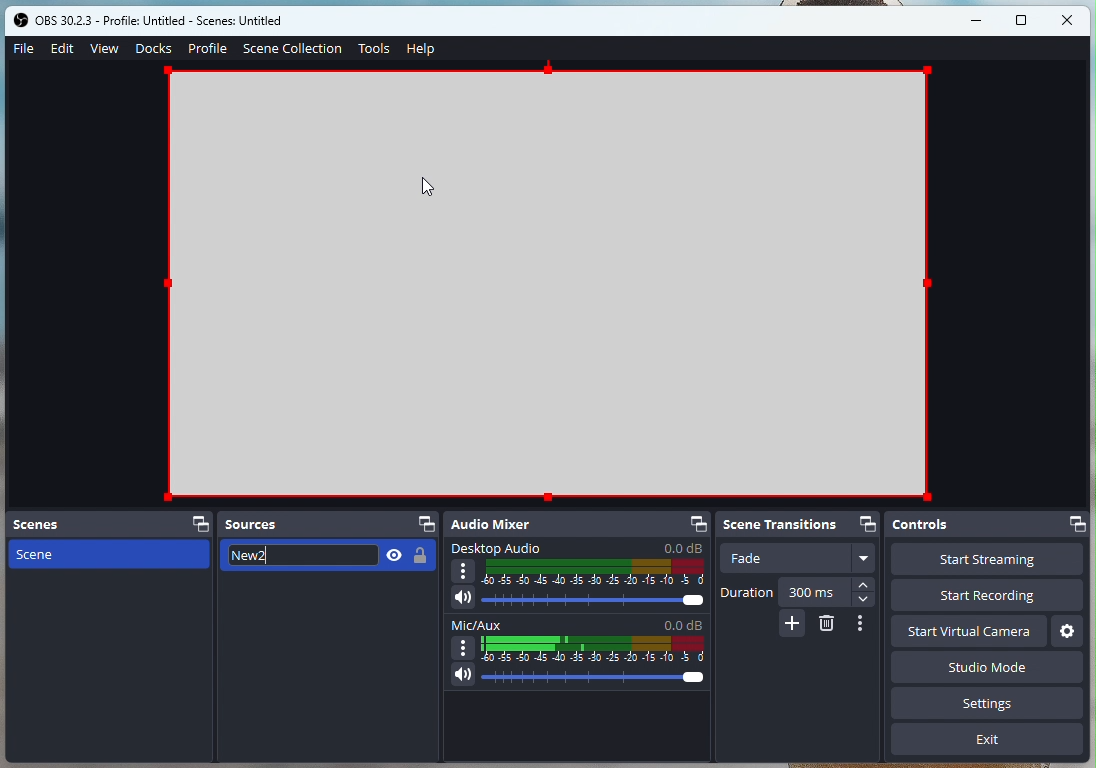 The height and width of the screenshot is (768, 1096). What do you see at coordinates (577, 654) in the screenshot?
I see `Mic/Aux` at bounding box center [577, 654].